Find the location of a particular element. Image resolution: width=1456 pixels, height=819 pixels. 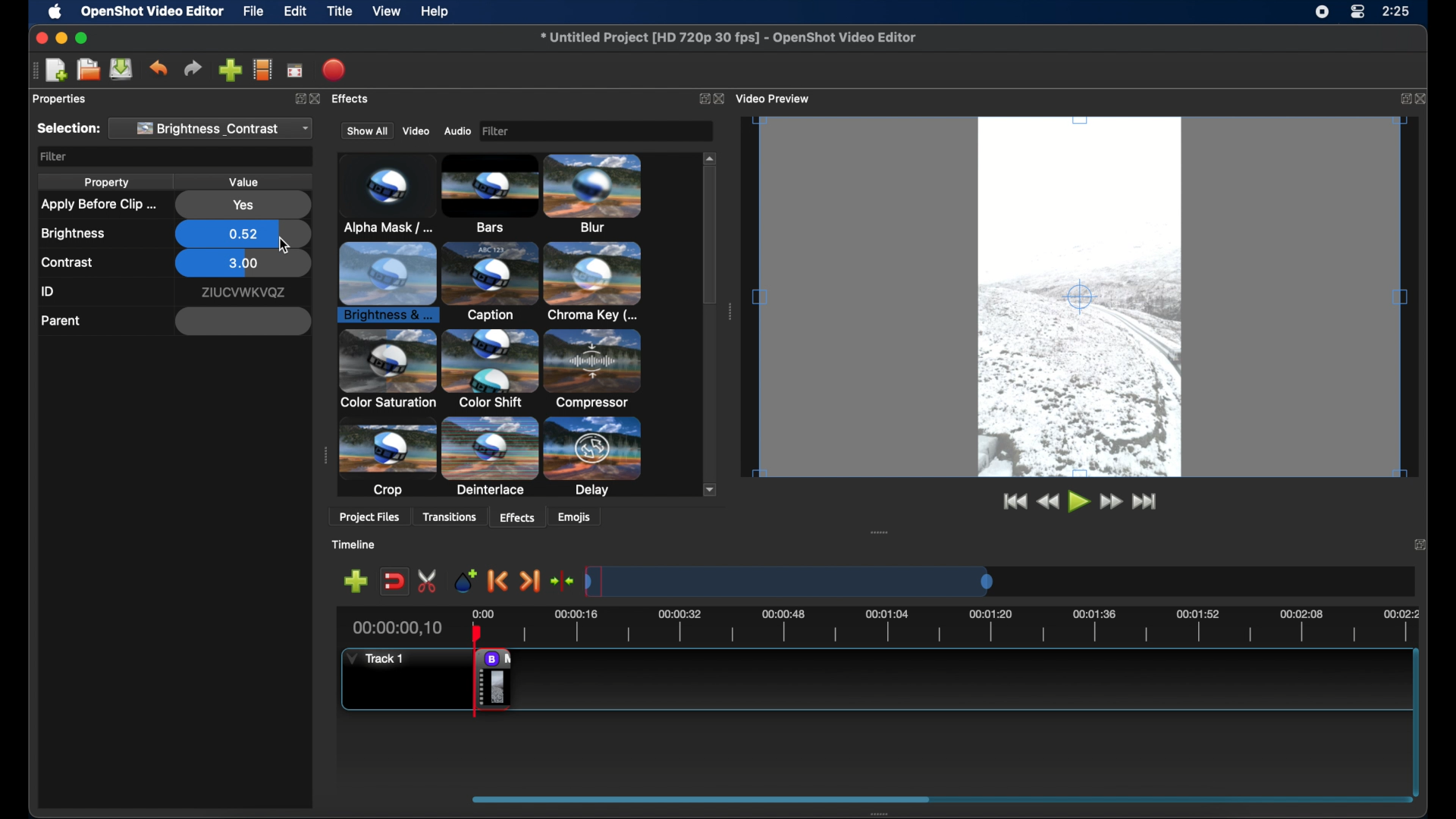

jump to end is located at coordinates (1149, 504).